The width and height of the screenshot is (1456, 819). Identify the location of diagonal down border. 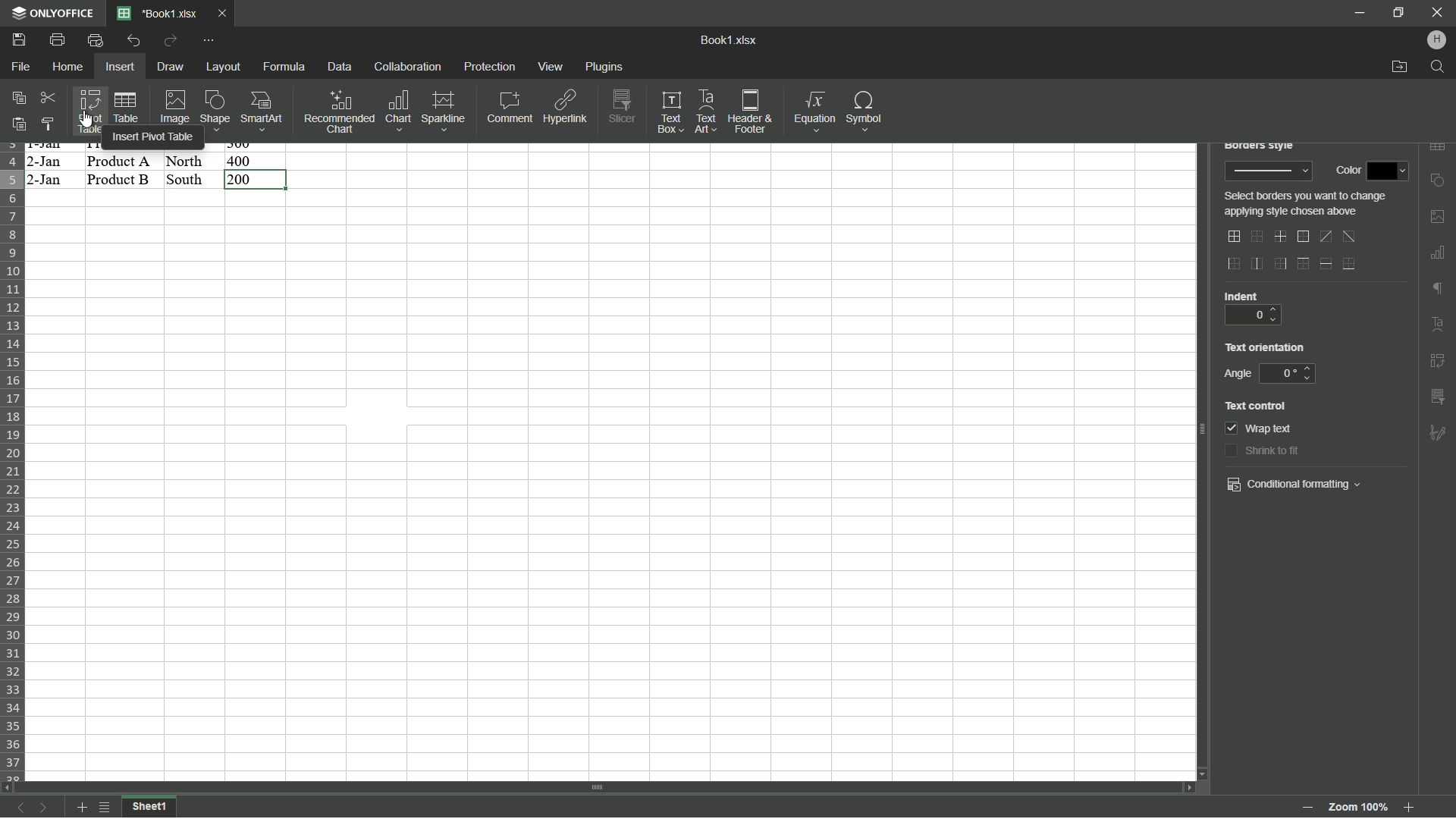
(1353, 237).